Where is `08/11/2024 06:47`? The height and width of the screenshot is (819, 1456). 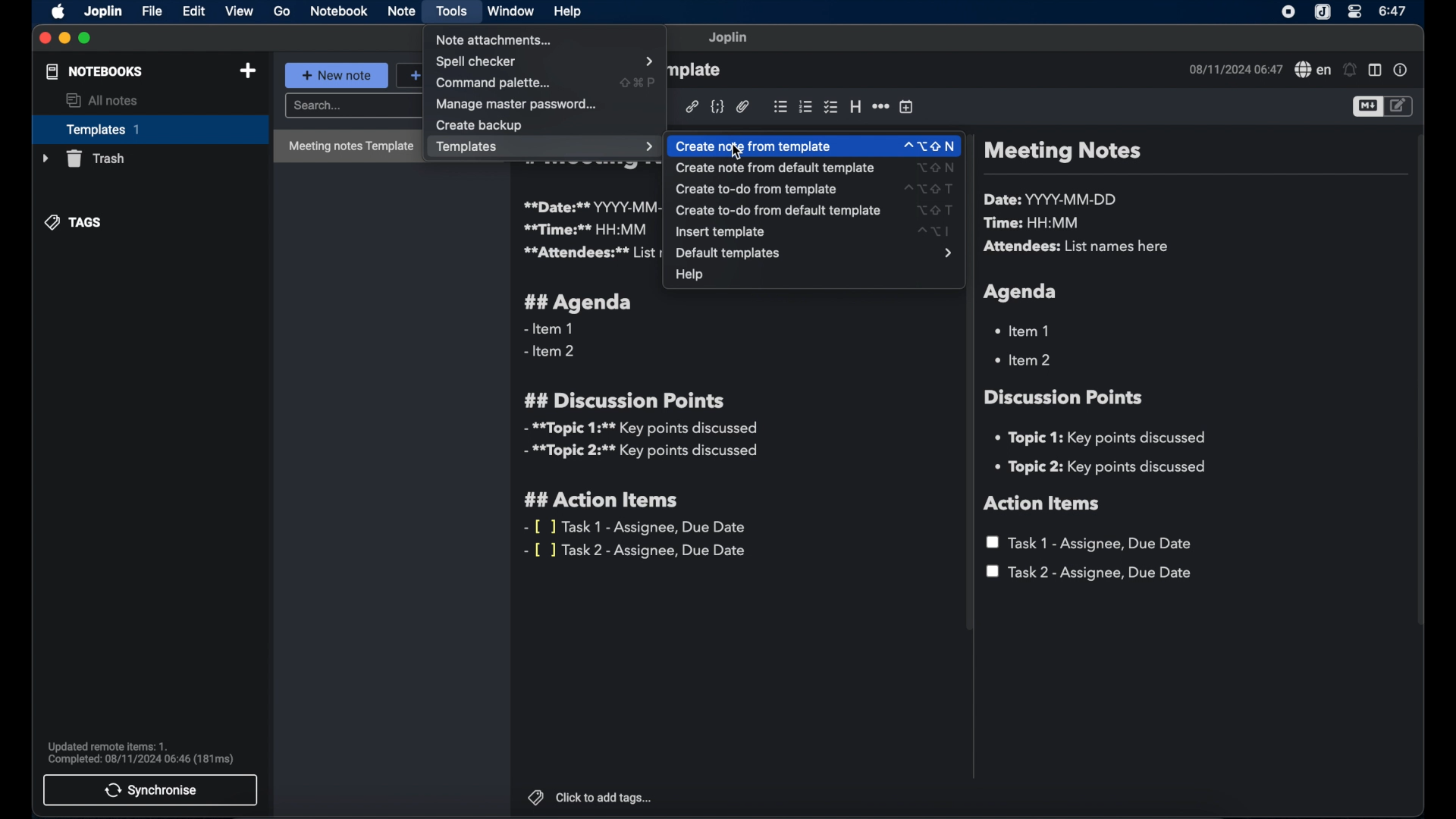 08/11/2024 06:47 is located at coordinates (1234, 69).